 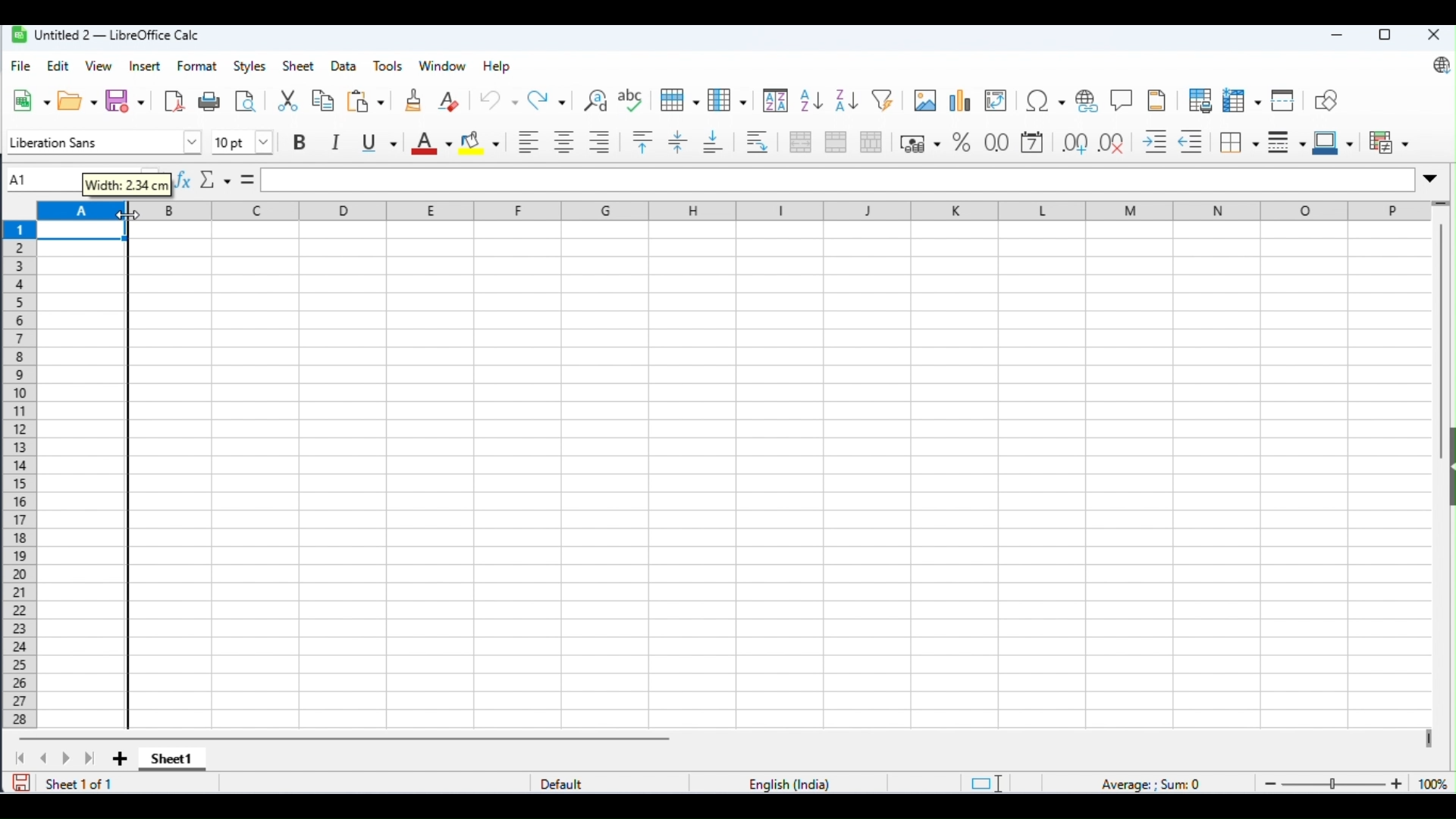 I want to click on sort ascending, so click(x=810, y=101).